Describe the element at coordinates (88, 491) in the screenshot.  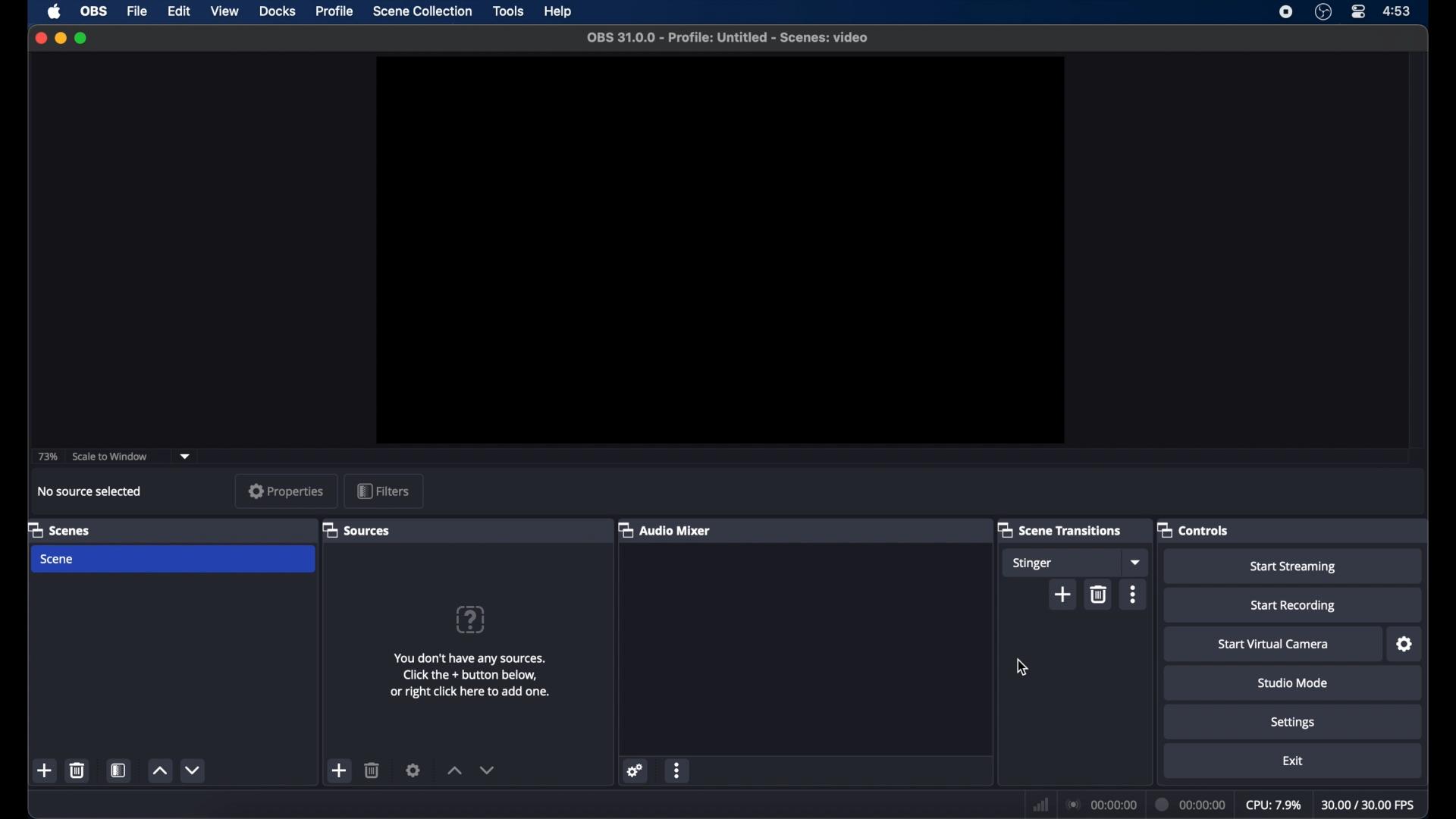
I see `no source selected` at that location.